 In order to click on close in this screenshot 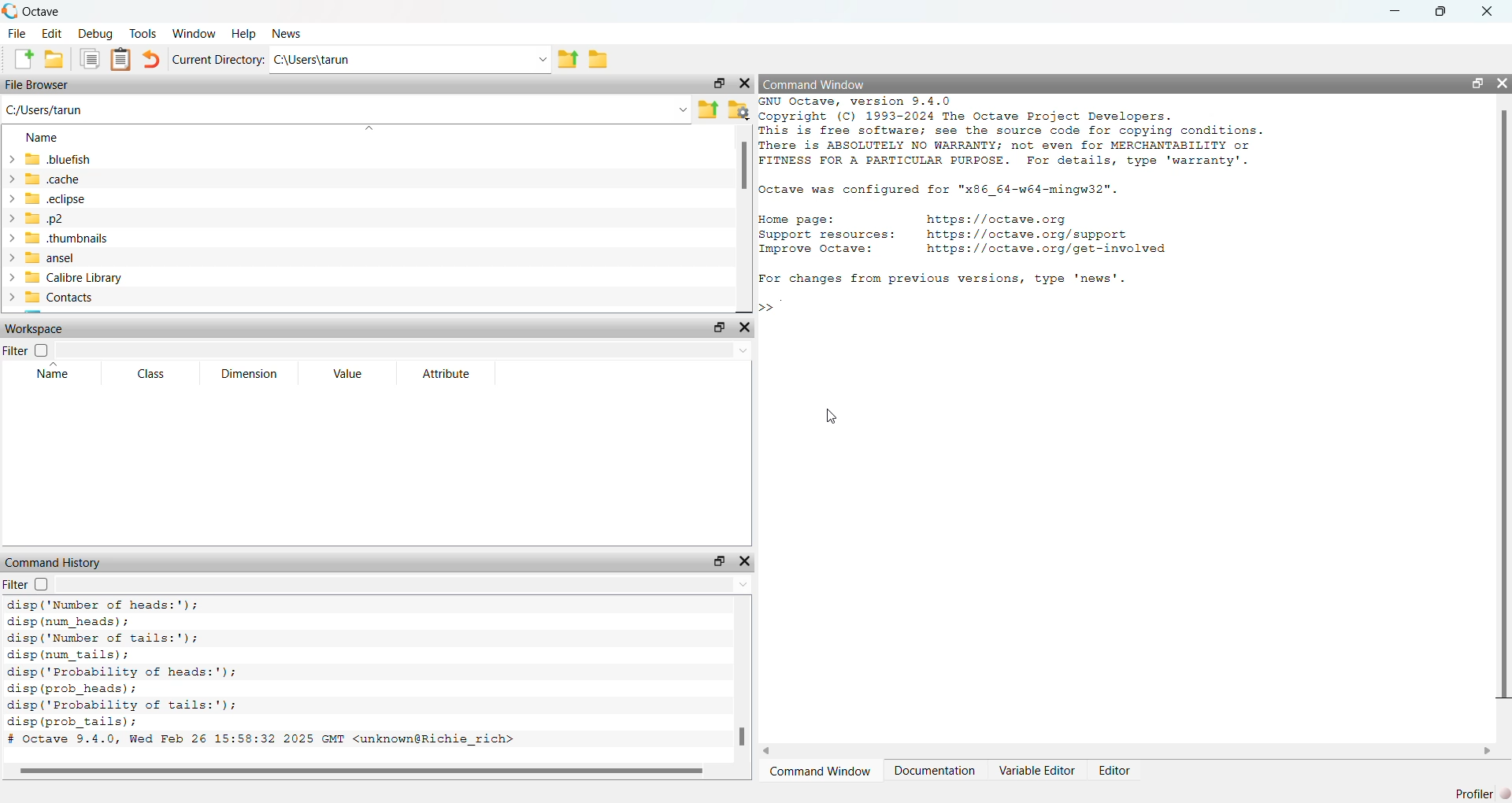, I will do `click(1488, 13)`.